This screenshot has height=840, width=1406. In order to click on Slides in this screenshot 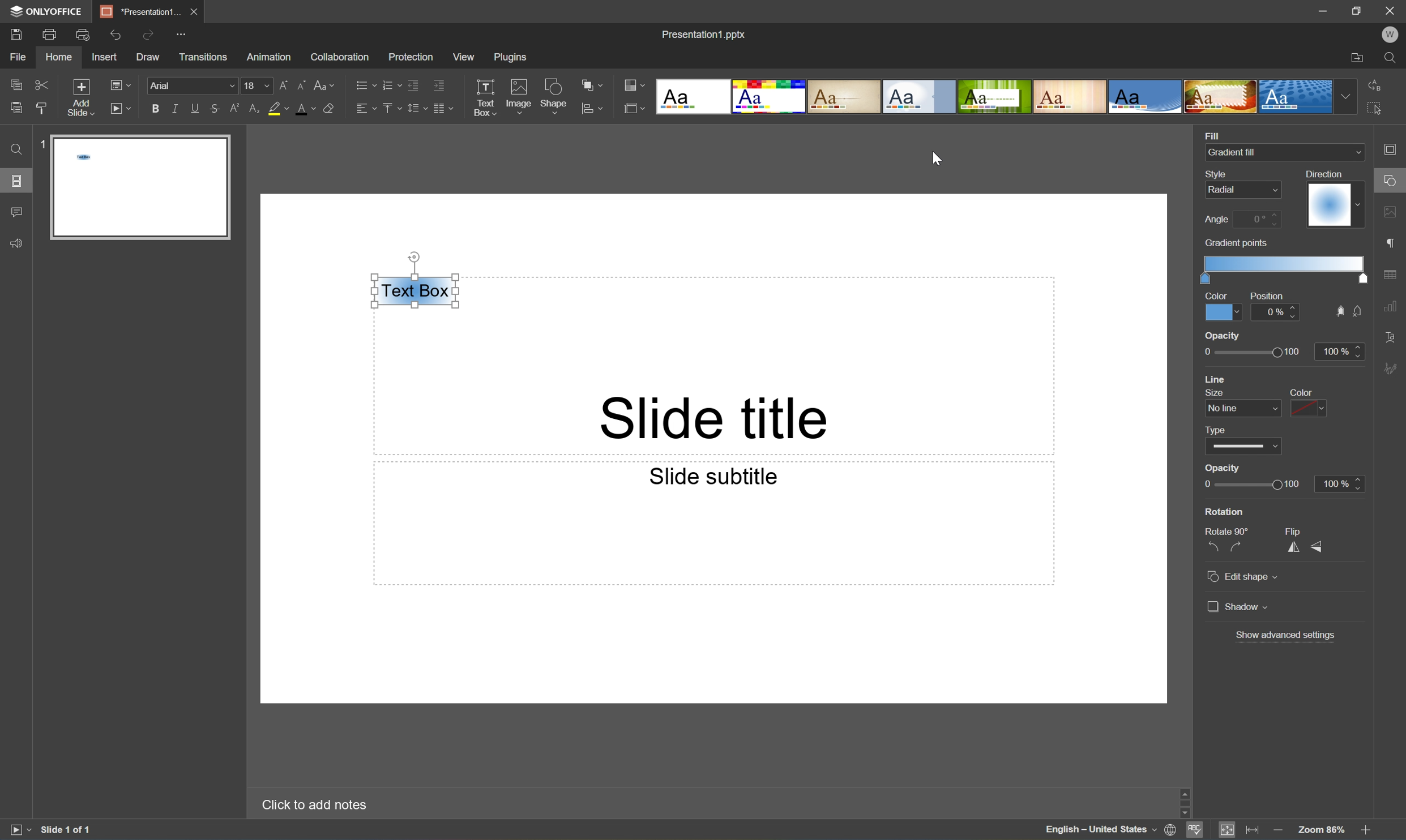, I will do `click(15, 182)`.